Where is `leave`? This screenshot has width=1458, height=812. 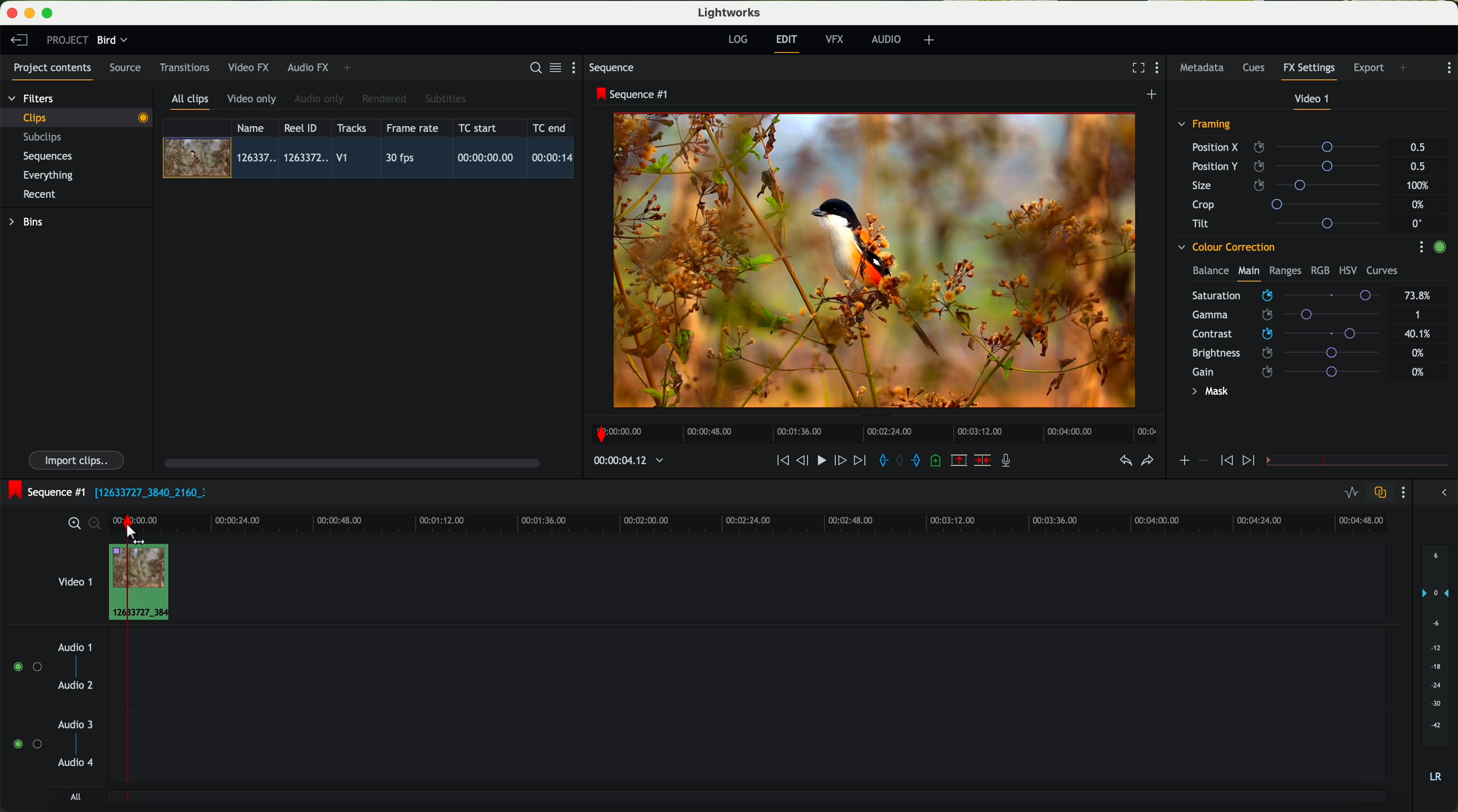 leave is located at coordinates (19, 41).